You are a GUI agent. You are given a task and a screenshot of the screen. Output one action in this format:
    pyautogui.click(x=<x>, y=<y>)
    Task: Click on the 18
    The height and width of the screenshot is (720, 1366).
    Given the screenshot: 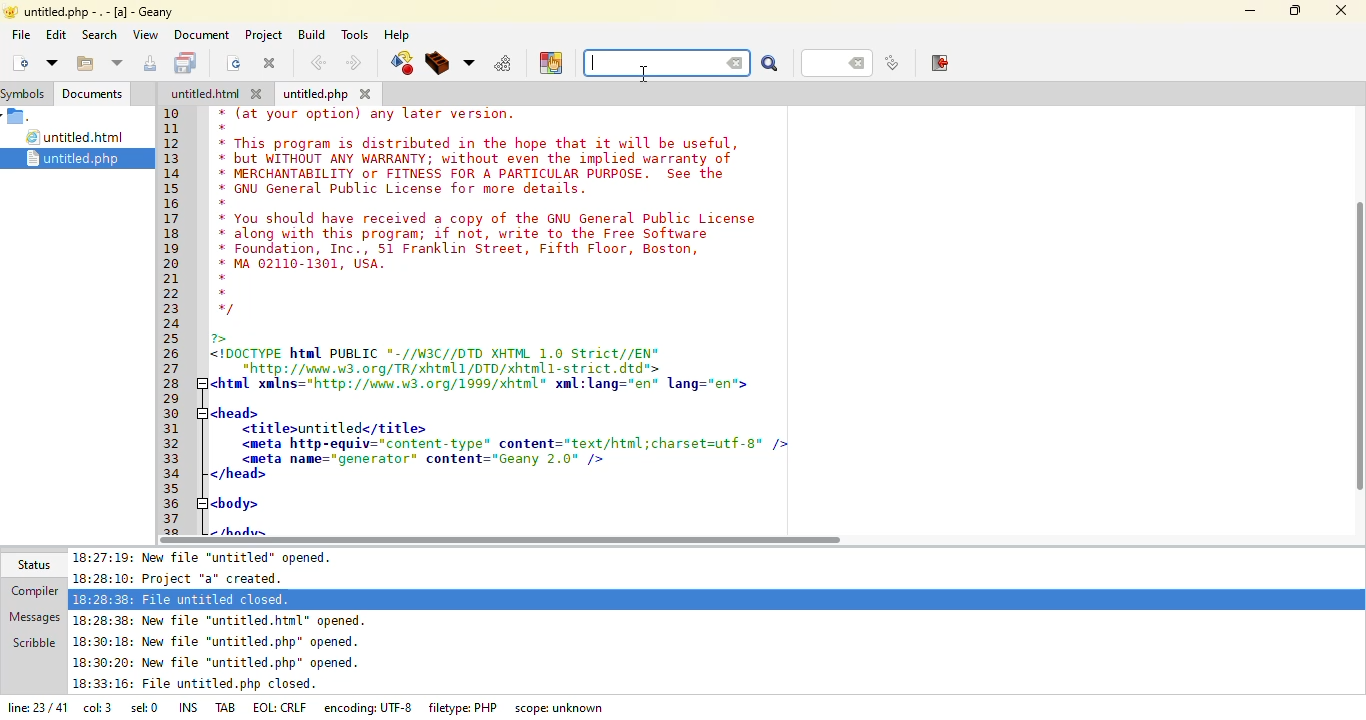 What is the action you would take?
    pyautogui.click(x=177, y=236)
    